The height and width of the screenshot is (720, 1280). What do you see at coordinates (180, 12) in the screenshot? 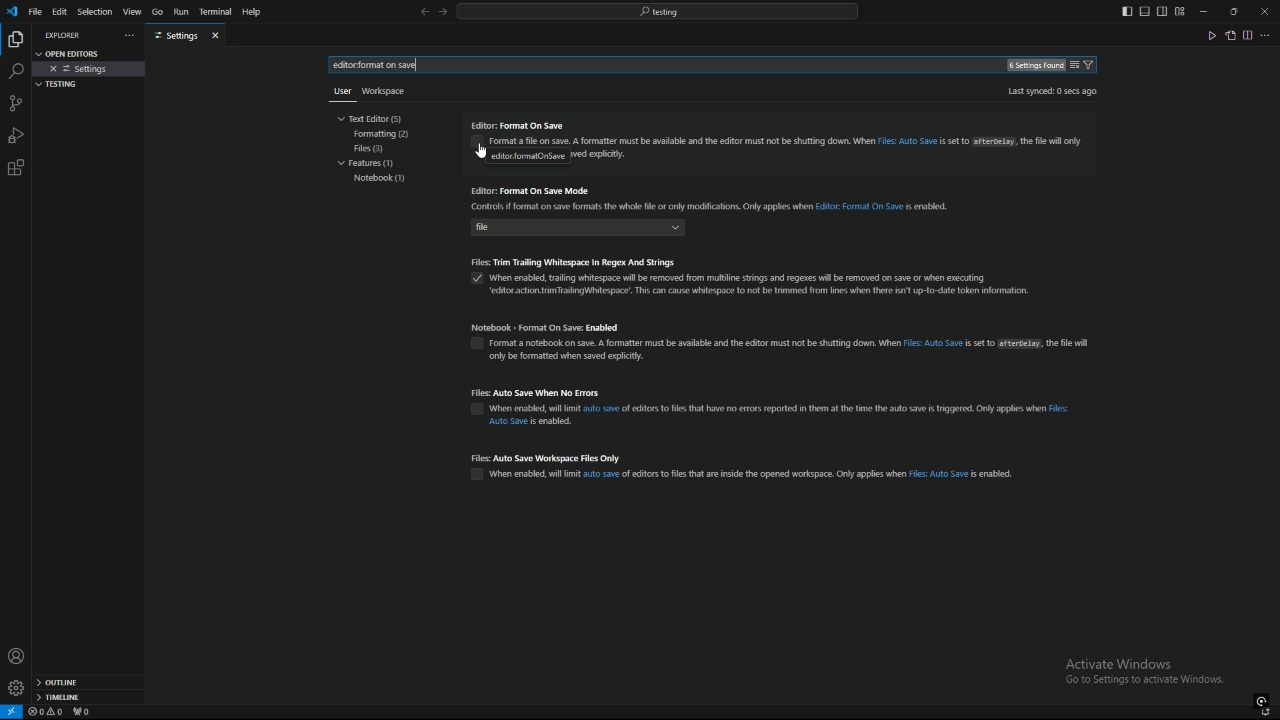
I see `run` at bounding box center [180, 12].